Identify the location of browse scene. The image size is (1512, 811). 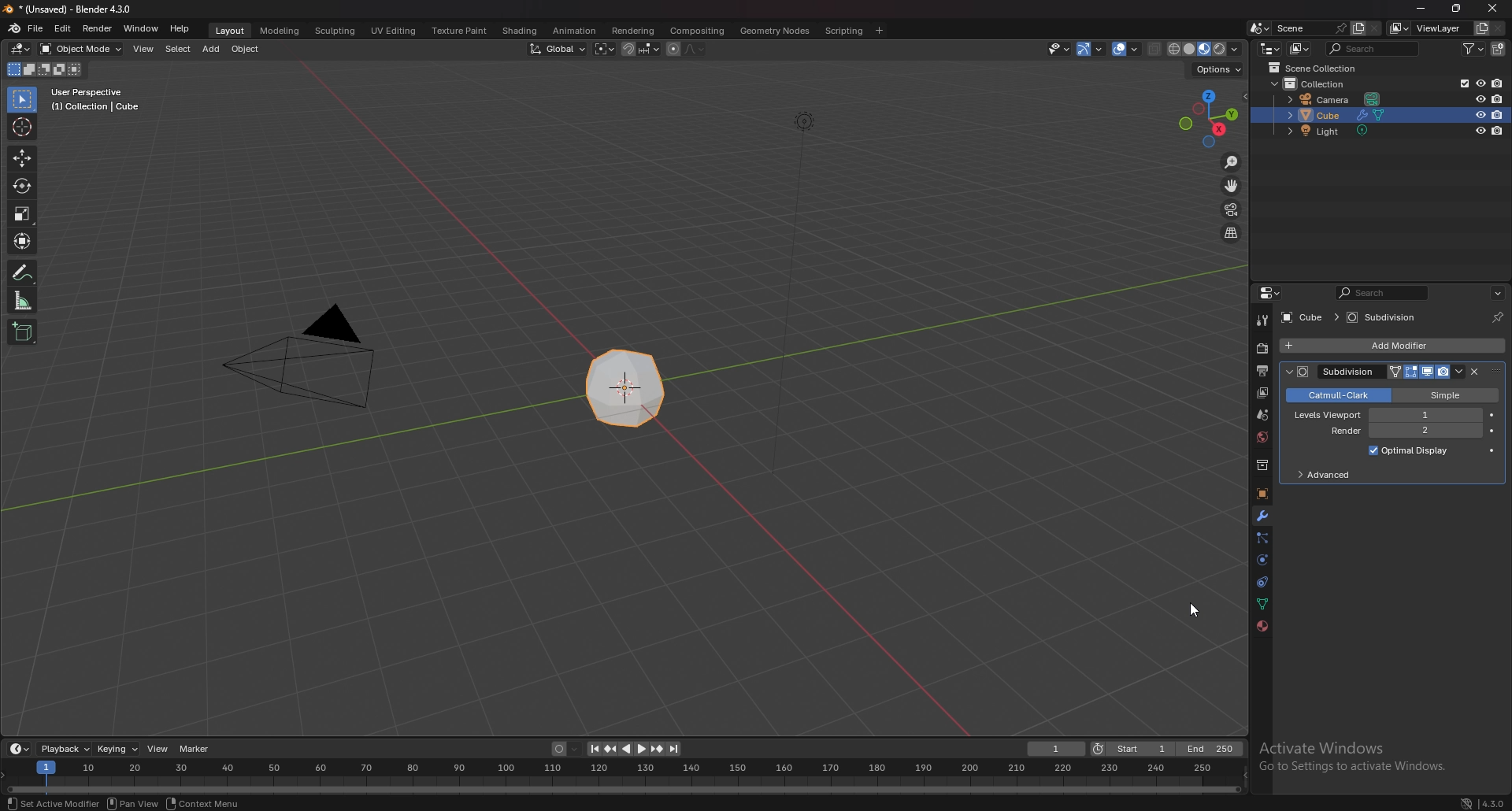
(1260, 28).